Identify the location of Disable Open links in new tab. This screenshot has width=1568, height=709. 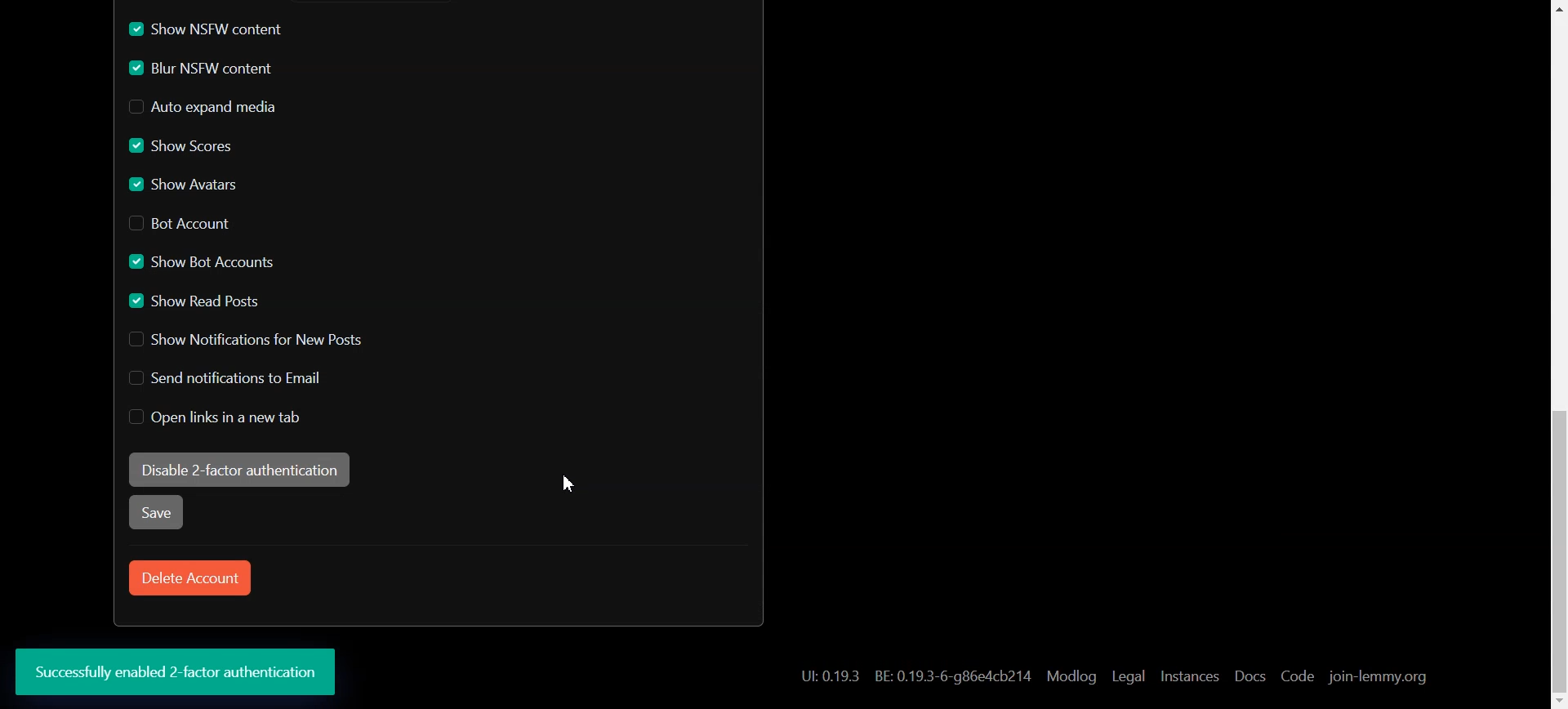
(216, 417).